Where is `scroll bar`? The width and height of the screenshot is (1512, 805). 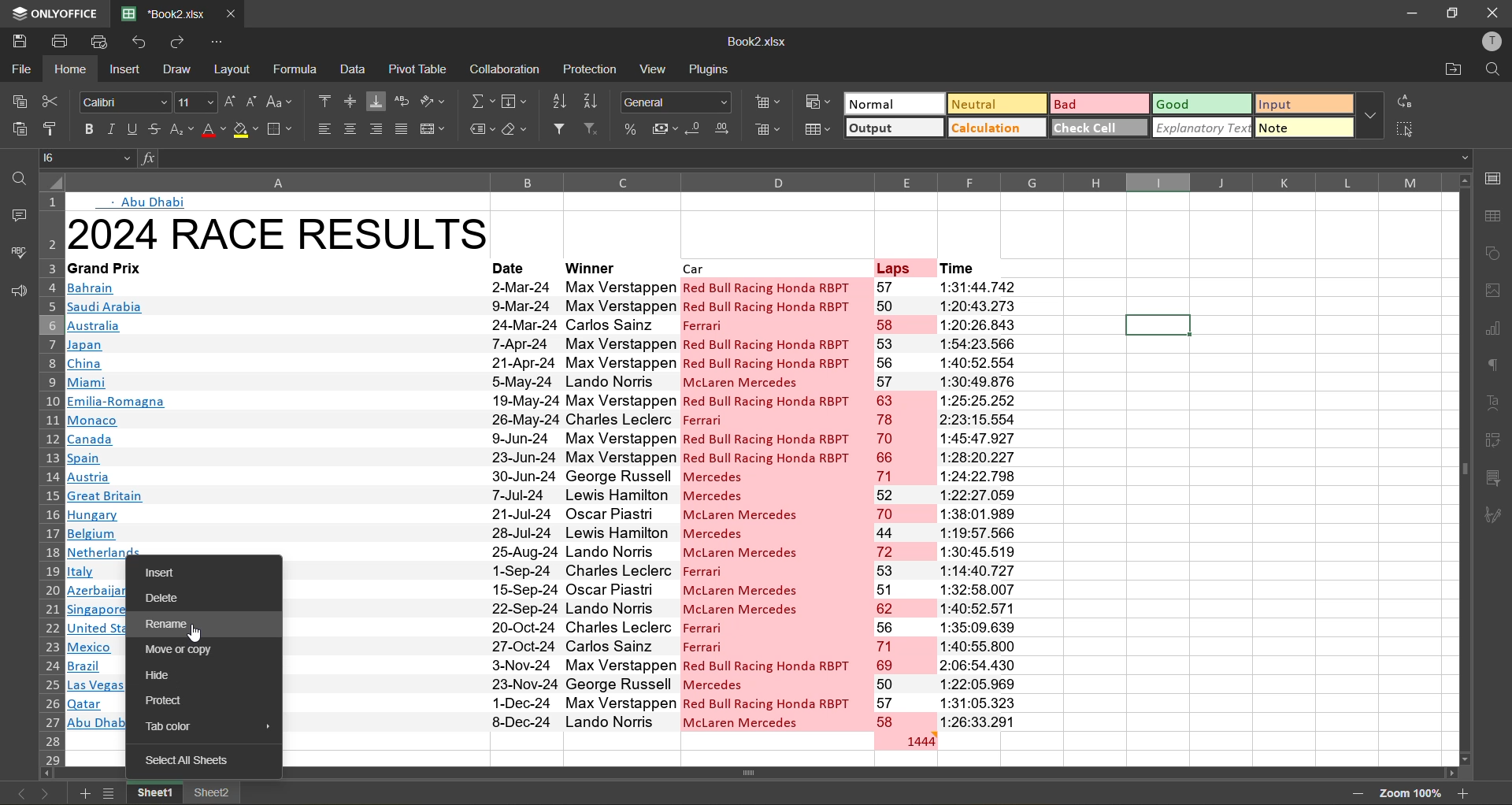
scroll bar is located at coordinates (784, 772).